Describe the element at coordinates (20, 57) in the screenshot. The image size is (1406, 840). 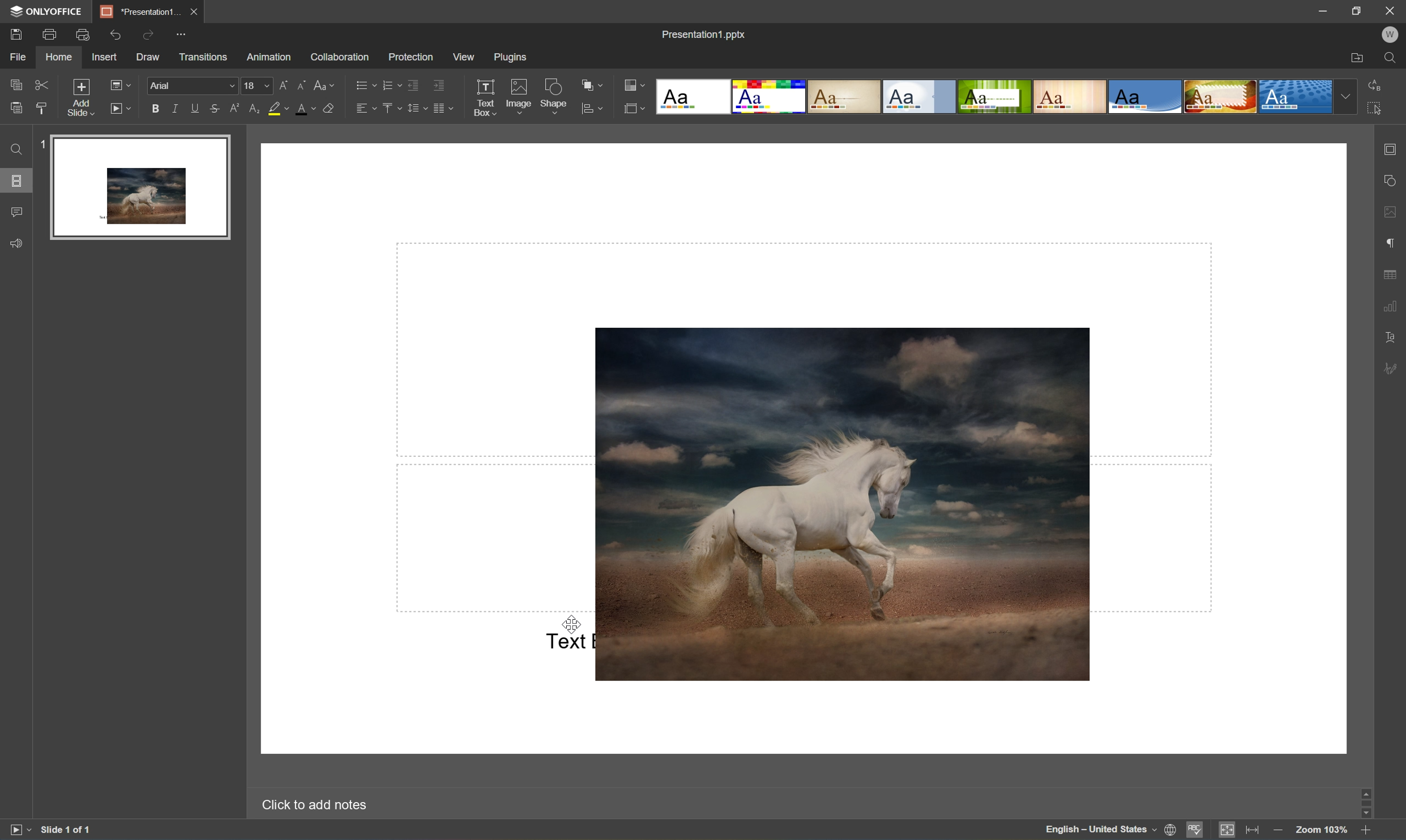
I see `File` at that location.